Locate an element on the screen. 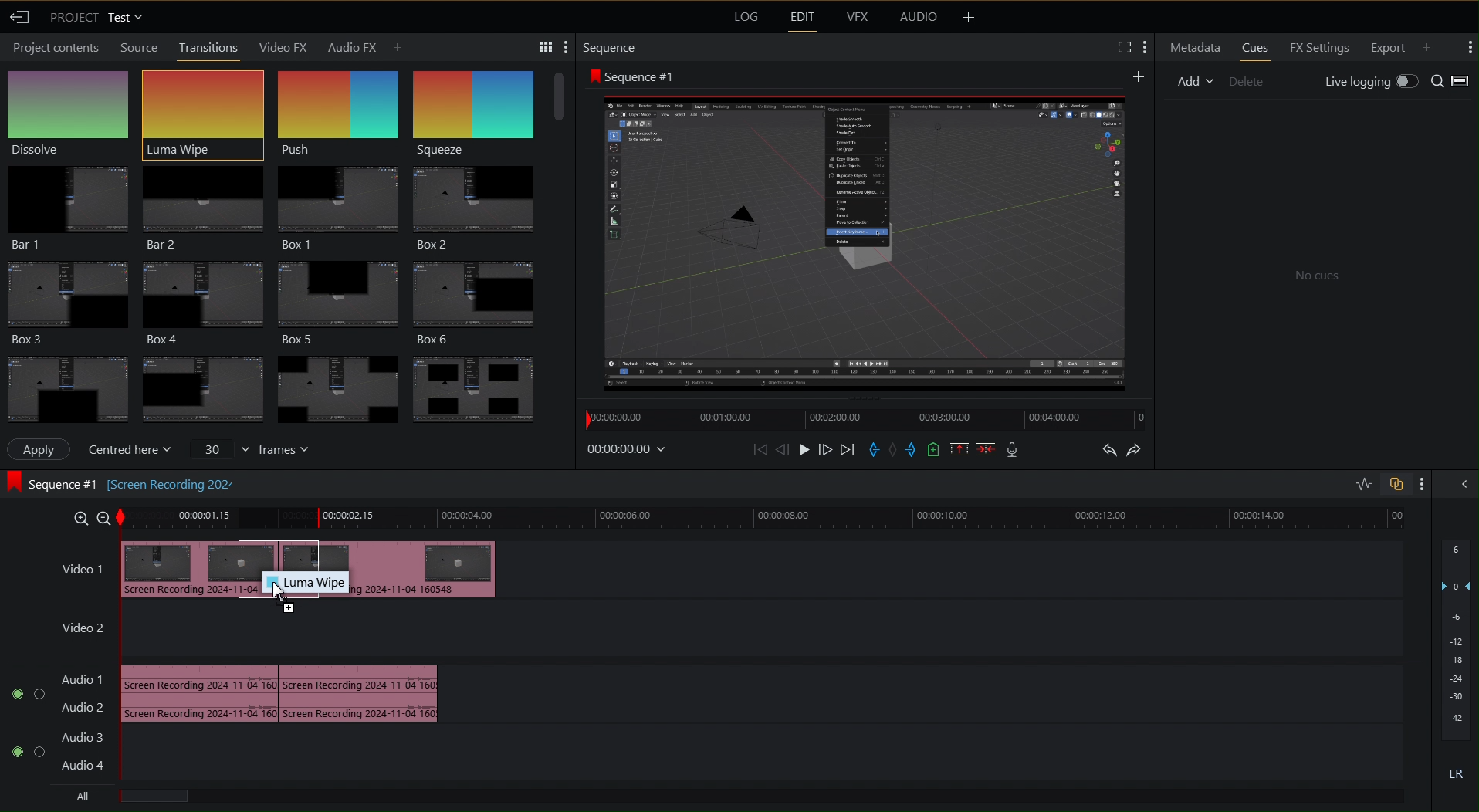 The image size is (1479, 812). Entry Marker is located at coordinates (873, 450).